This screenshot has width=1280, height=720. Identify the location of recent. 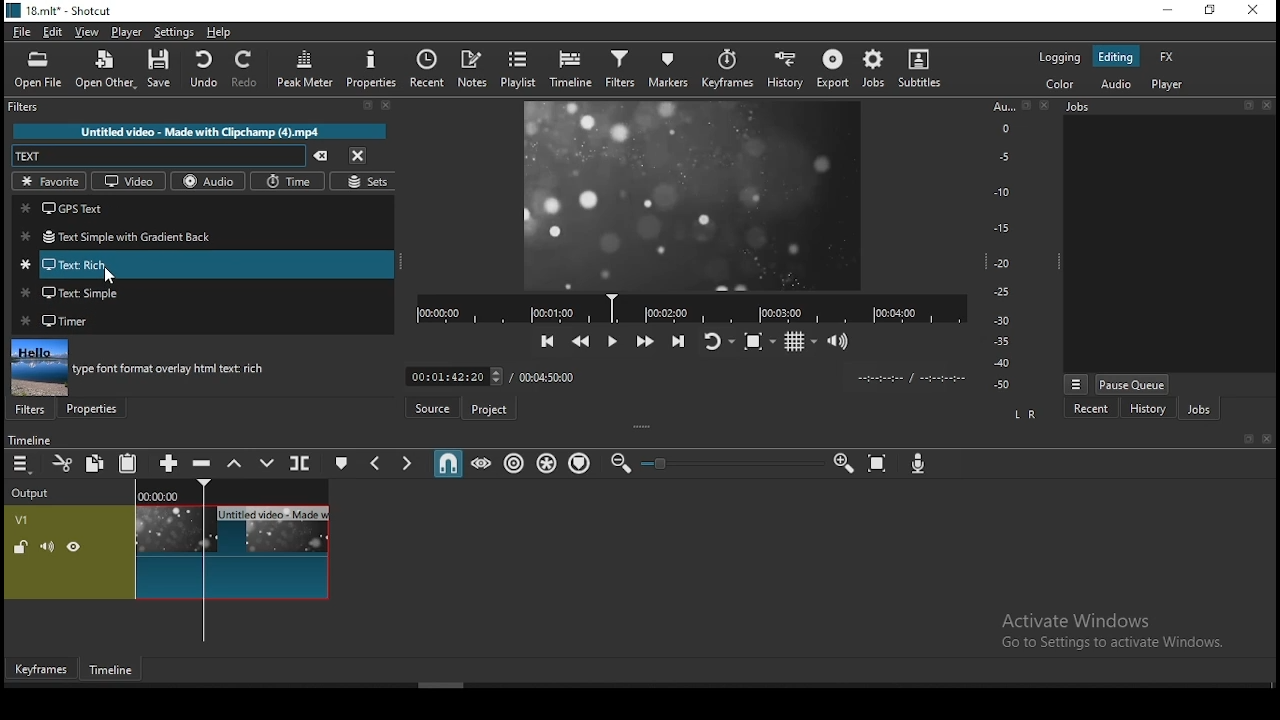
(427, 69).